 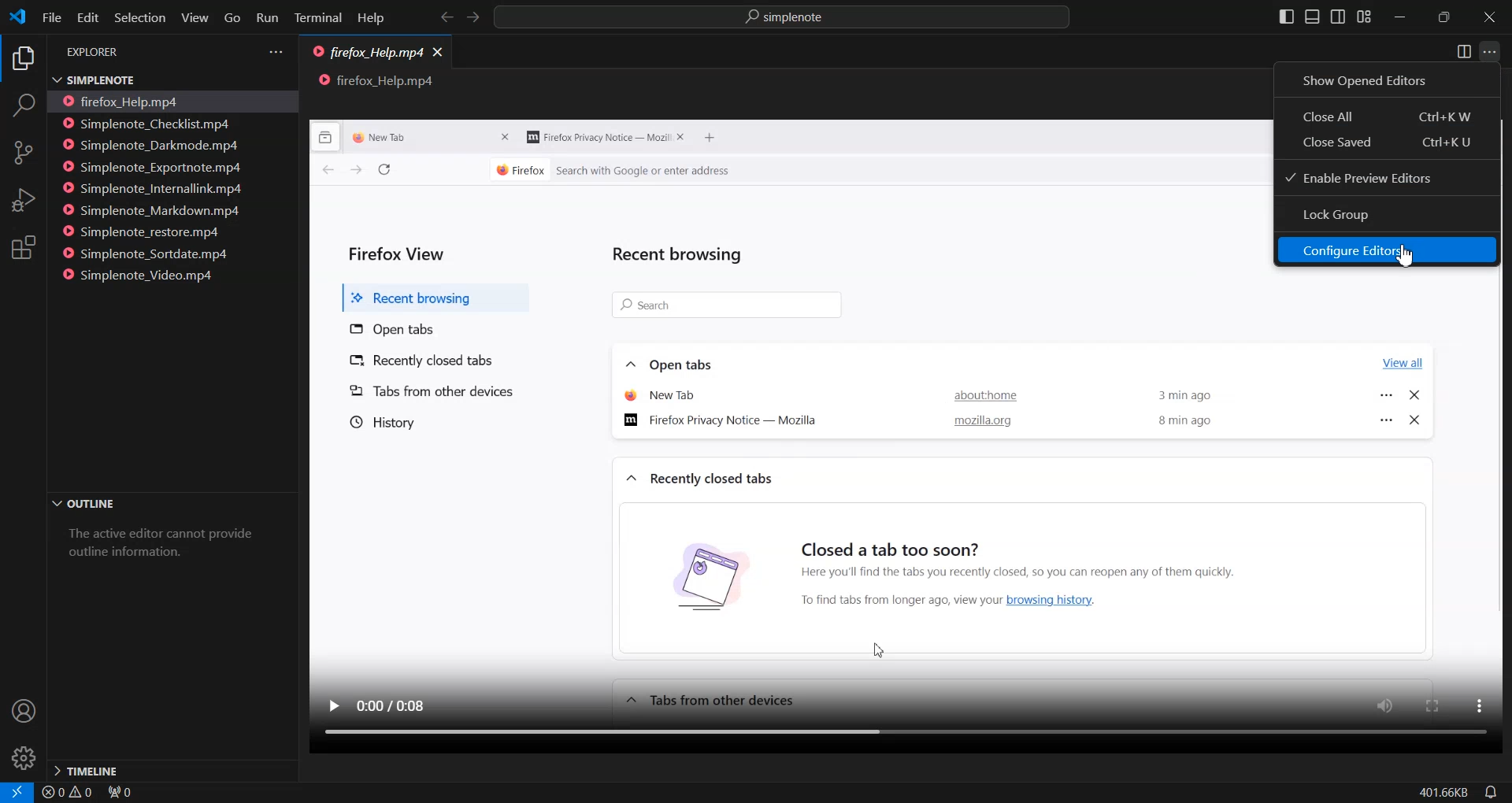 I want to click on Open a remote window, so click(x=13, y=792).